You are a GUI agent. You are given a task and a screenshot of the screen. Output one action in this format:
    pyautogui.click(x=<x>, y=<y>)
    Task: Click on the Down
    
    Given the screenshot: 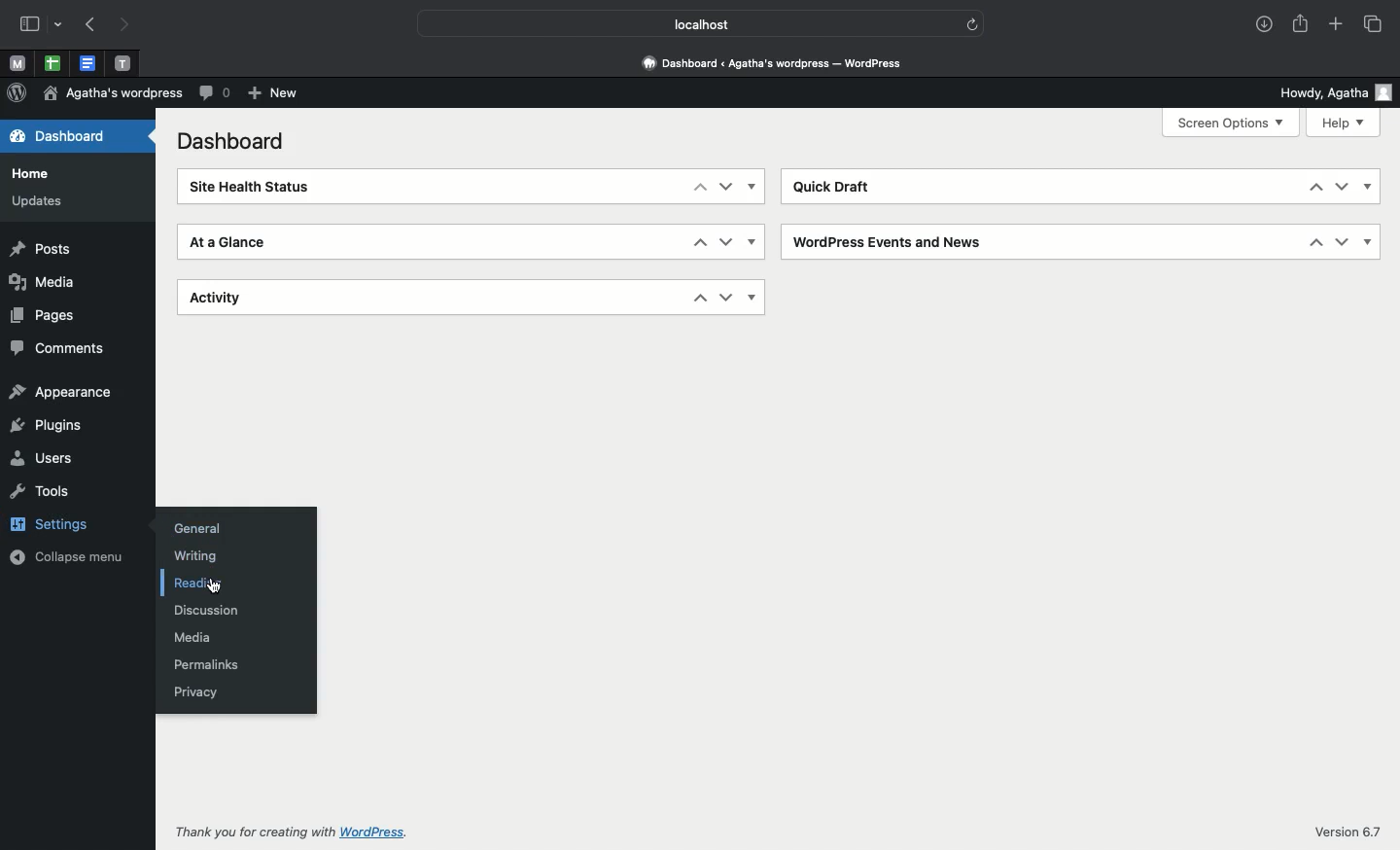 What is the action you would take?
    pyautogui.click(x=724, y=296)
    